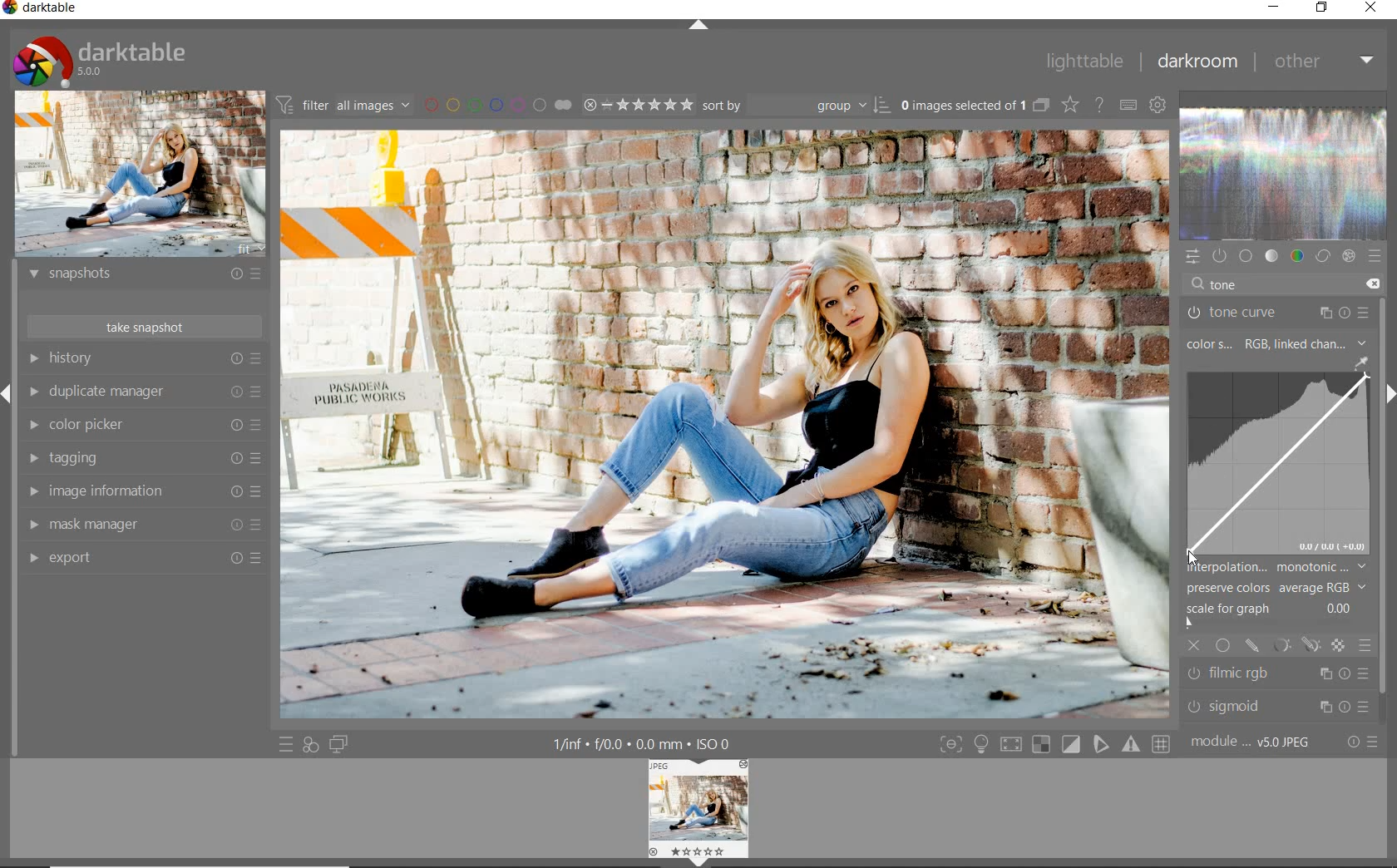 This screenshot has width=1397, height=868. I want to click on show only active modules, so click(1221, 257).